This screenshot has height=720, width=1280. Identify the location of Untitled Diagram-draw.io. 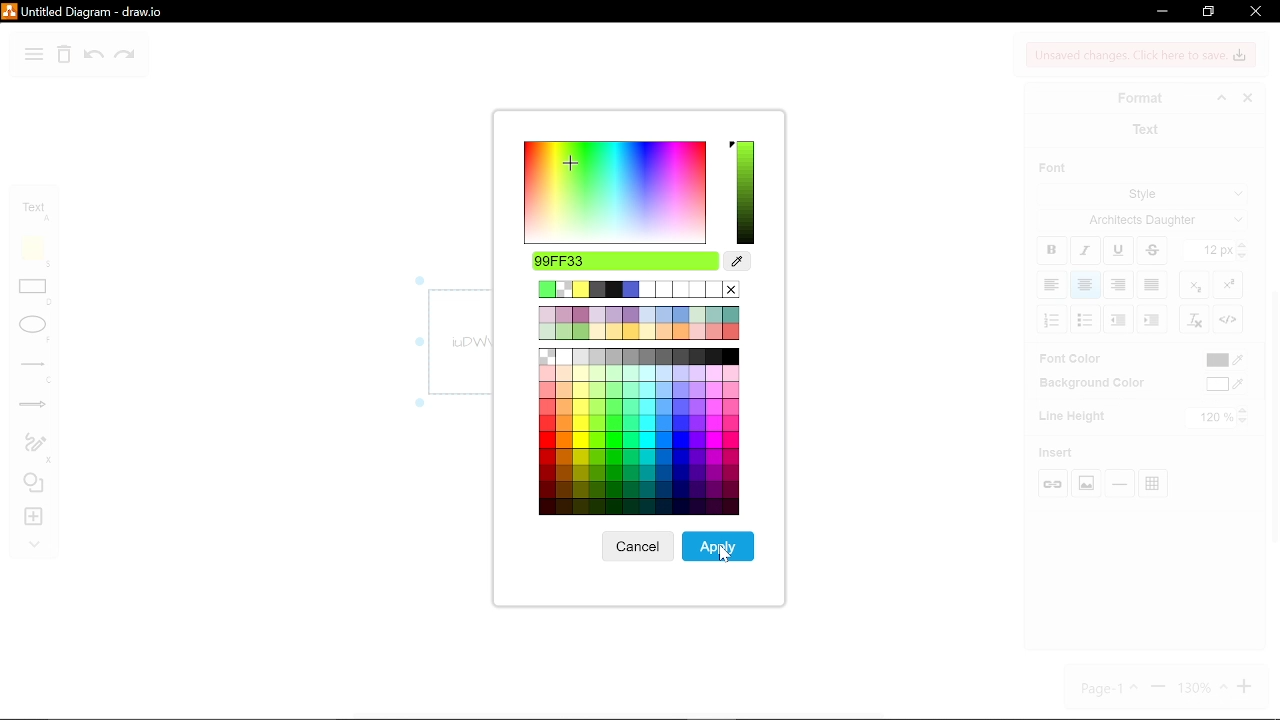
(86, 11).